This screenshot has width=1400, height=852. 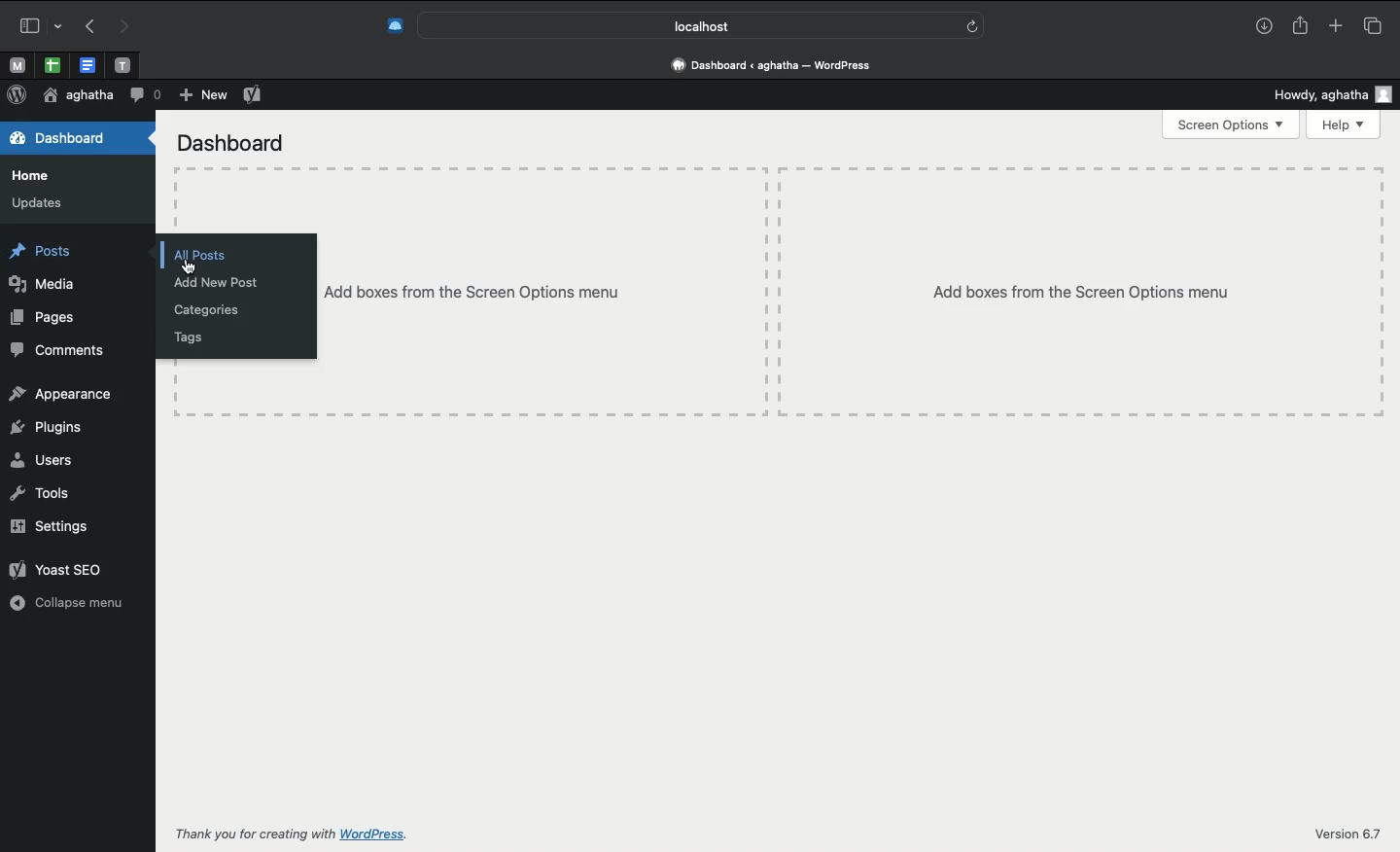 What do you see at coordinates (231, 144) in the screenshot?
I see `Dashboard` at bounding box center [231, 144].